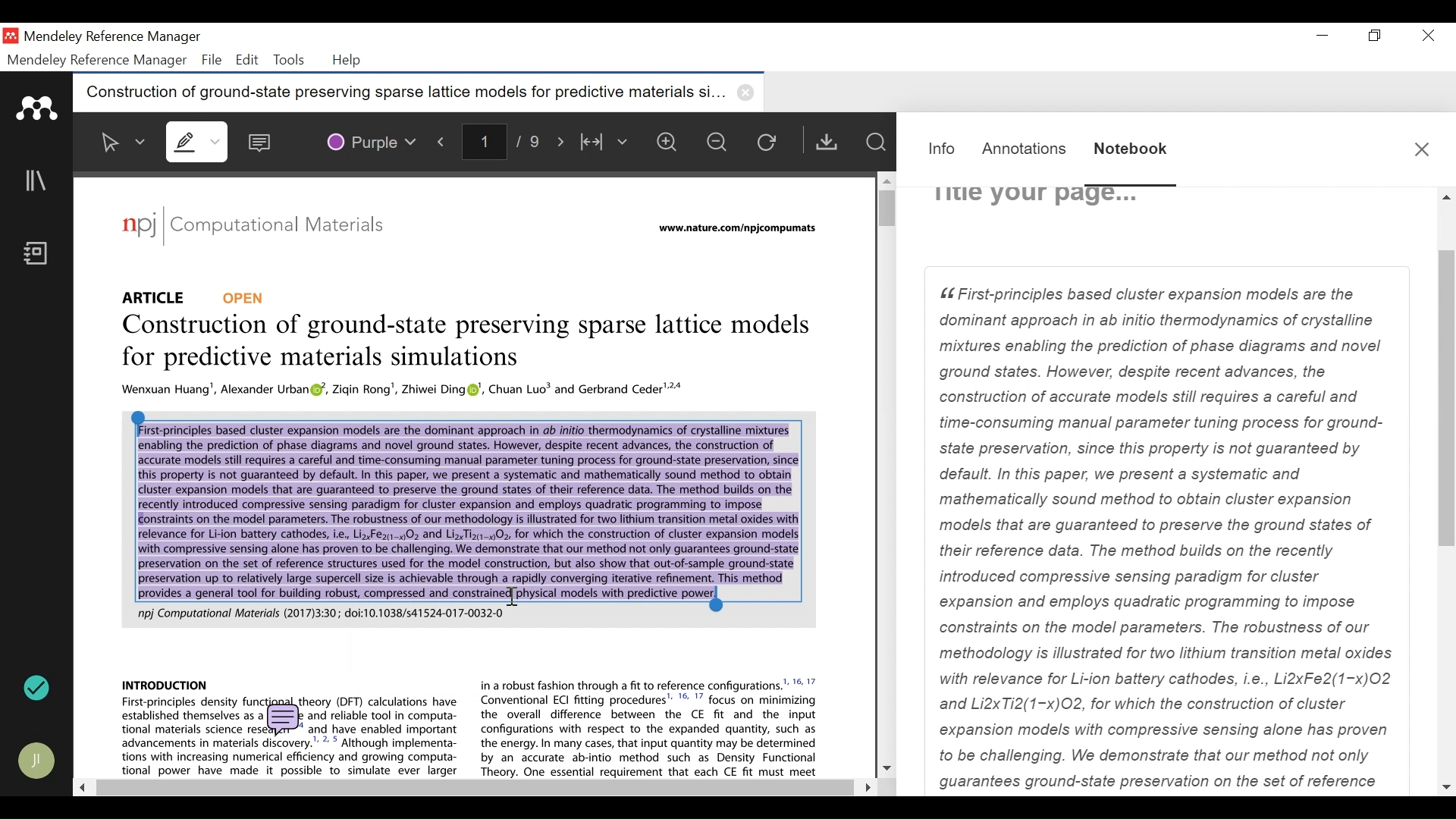 The image size is (1456, 819). I want to click on Zoom in, so click(671, 142).